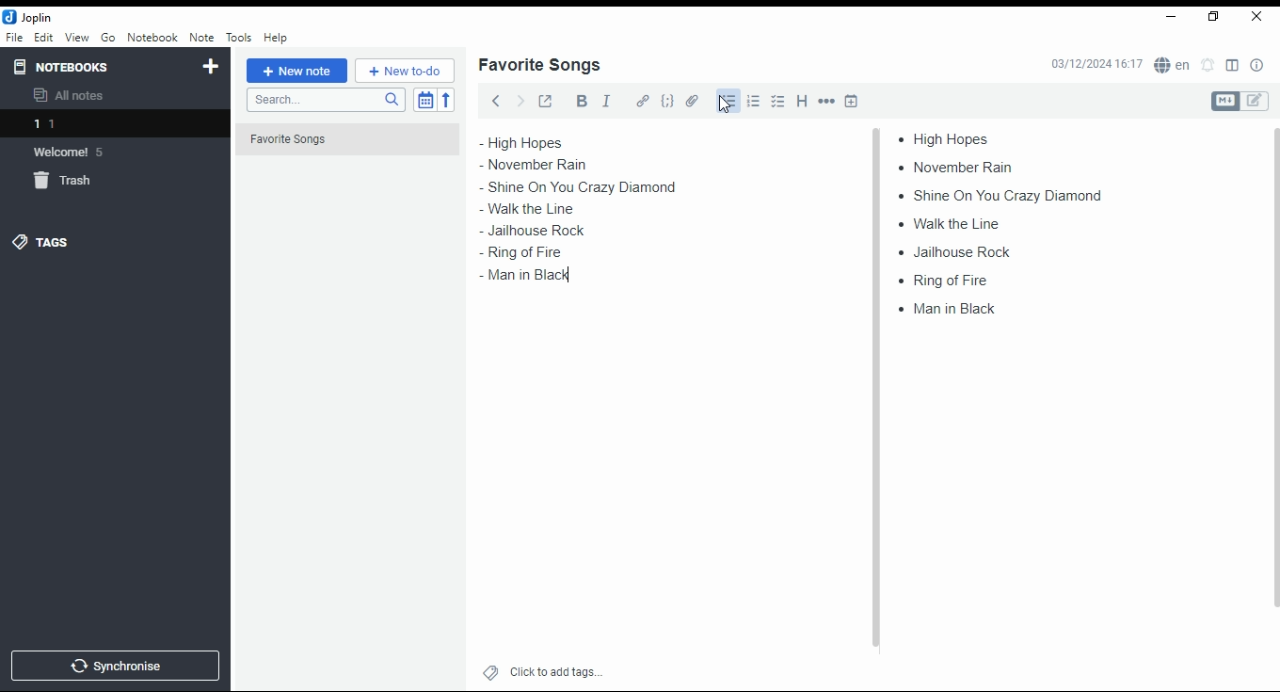 Image resolution: width=1280 pixels, height=692 pixels. I want to click on ring of fire, so click(941, 279).